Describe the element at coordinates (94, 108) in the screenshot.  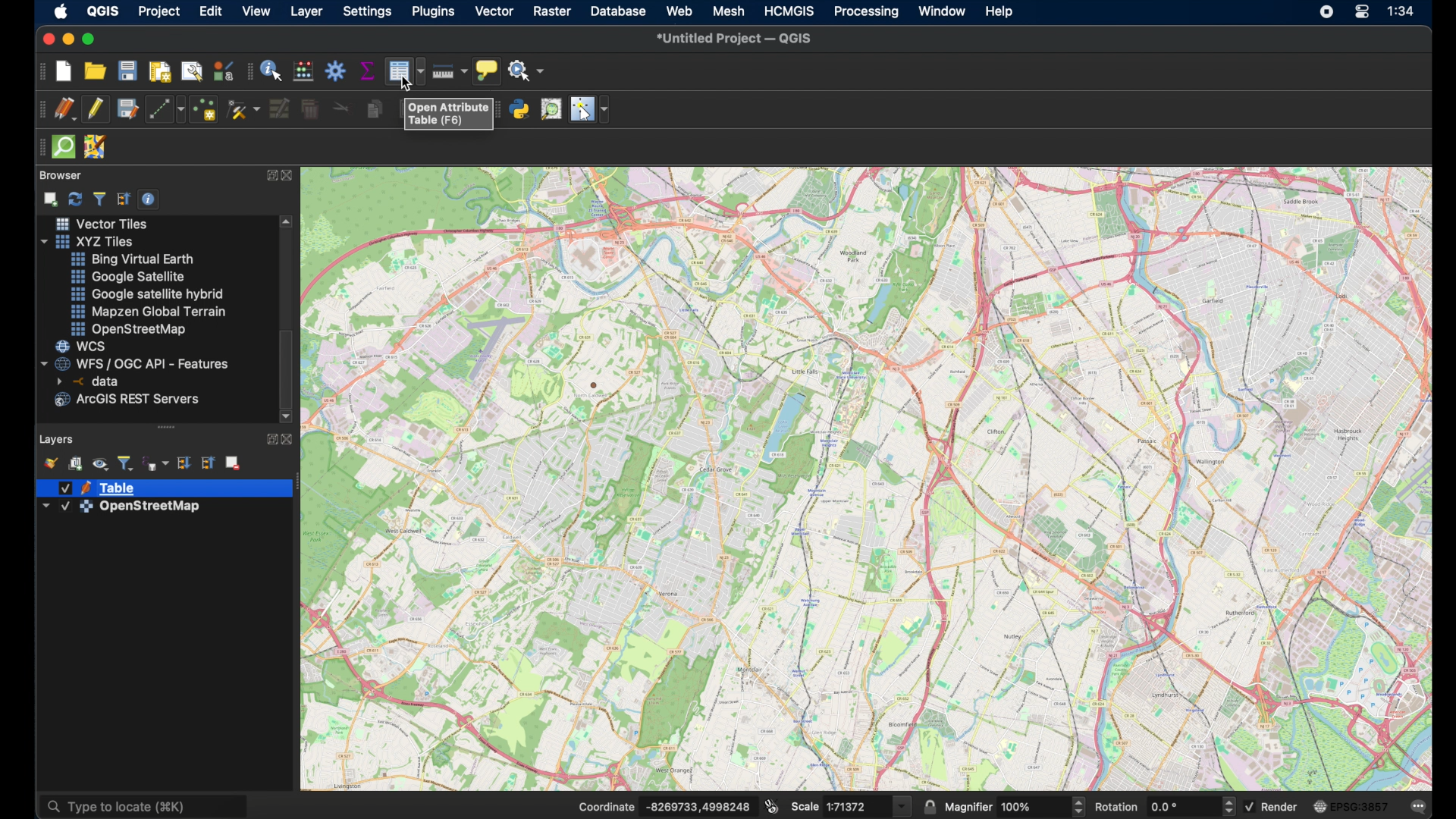
I see `toggle editing` at that location.